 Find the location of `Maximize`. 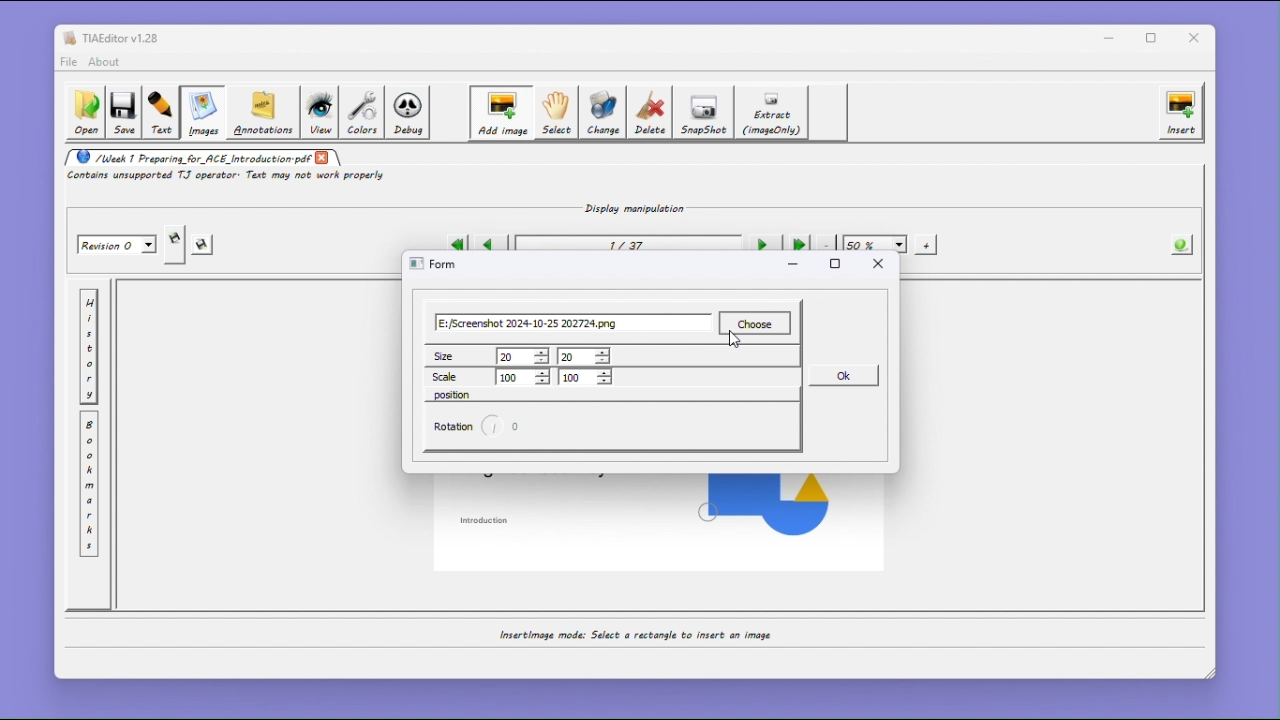

Maximize is located at coordinates (1155, 38).